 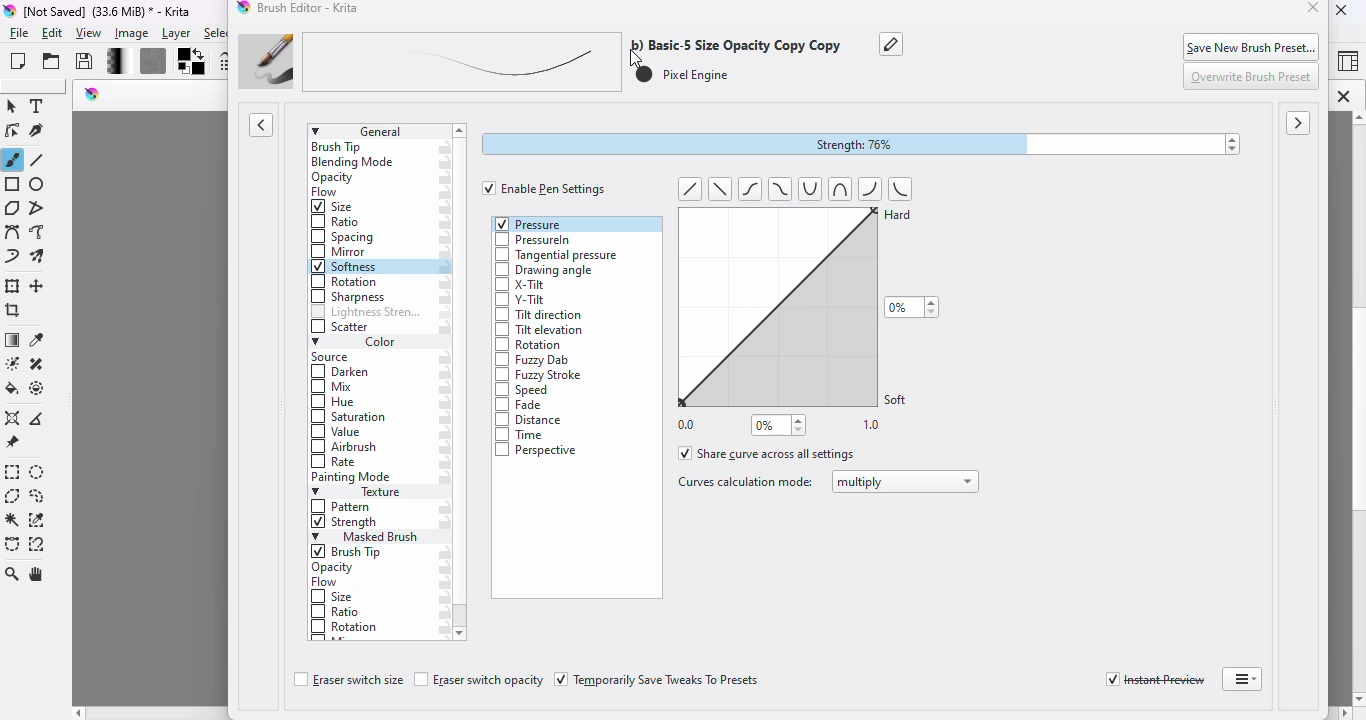 I want to click on cursor, so click(x=634, y=57).